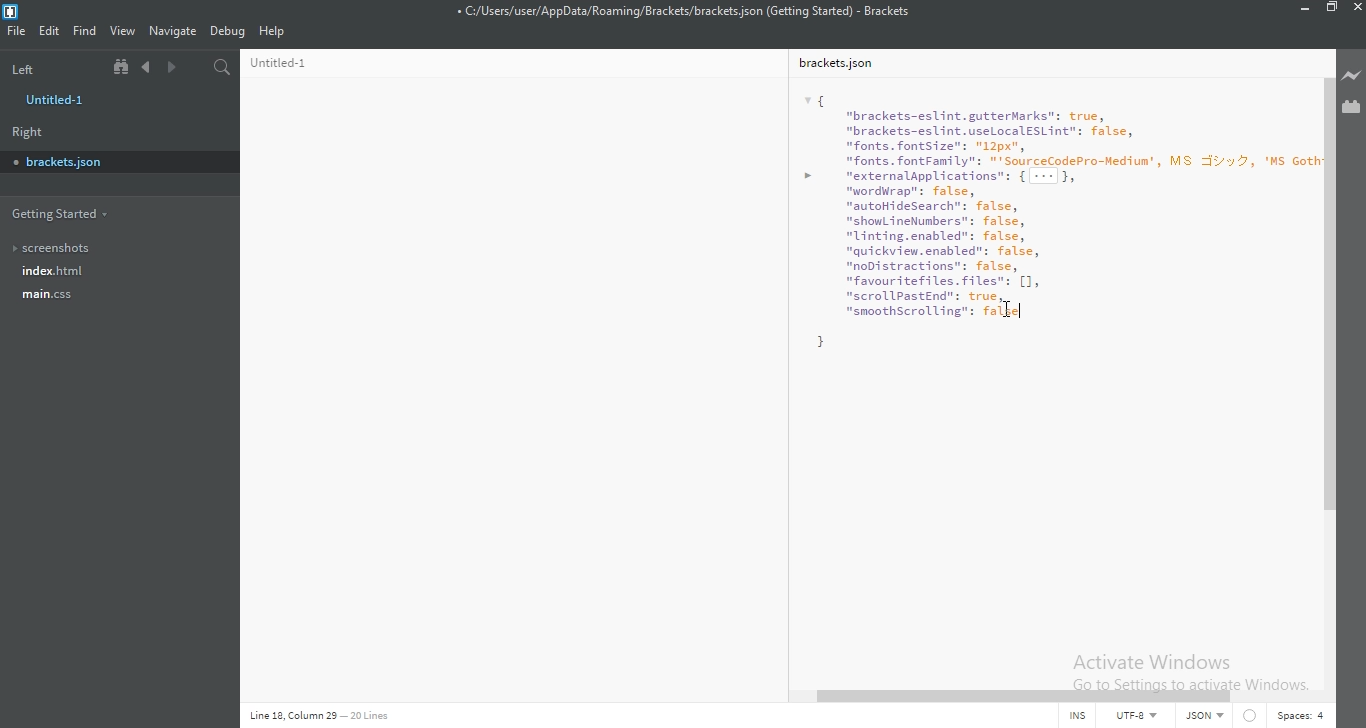 The image size is (1366, 728). I want to click on Previous document, so click(149, 66).